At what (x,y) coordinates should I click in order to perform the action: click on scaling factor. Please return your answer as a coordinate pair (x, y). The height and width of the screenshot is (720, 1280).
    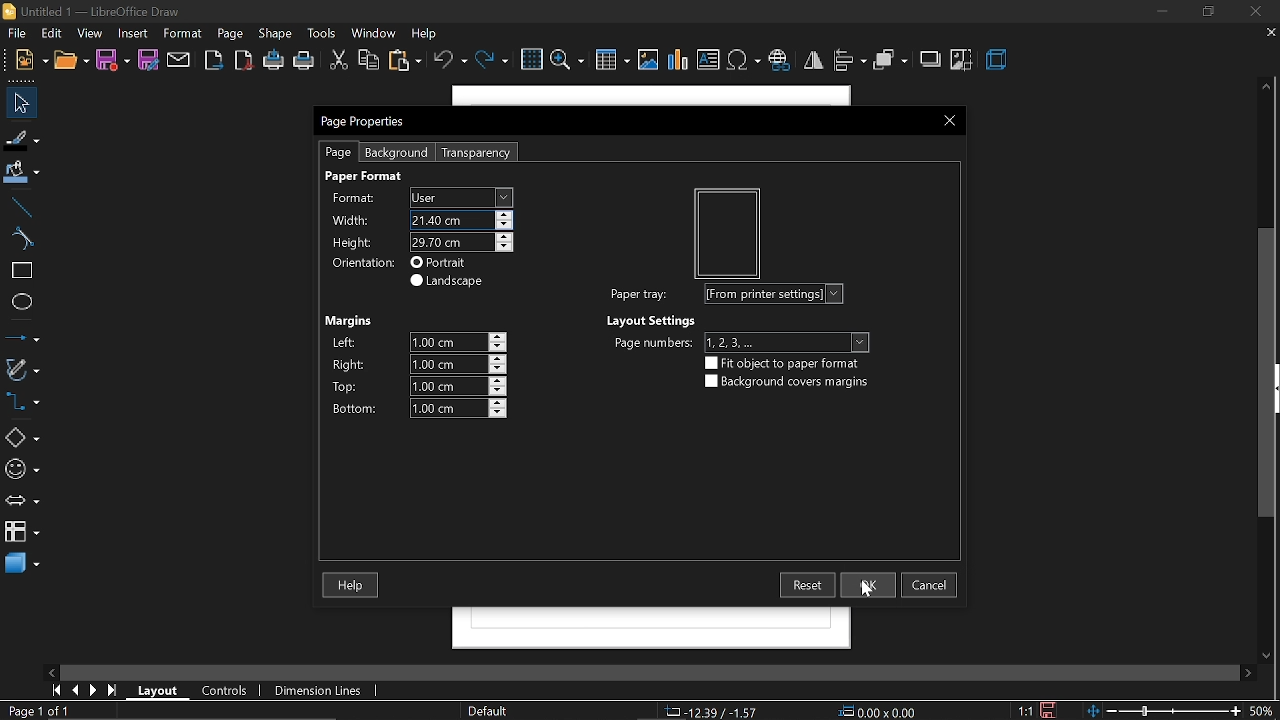
    Looking at the image, I should click on (1025, 711).